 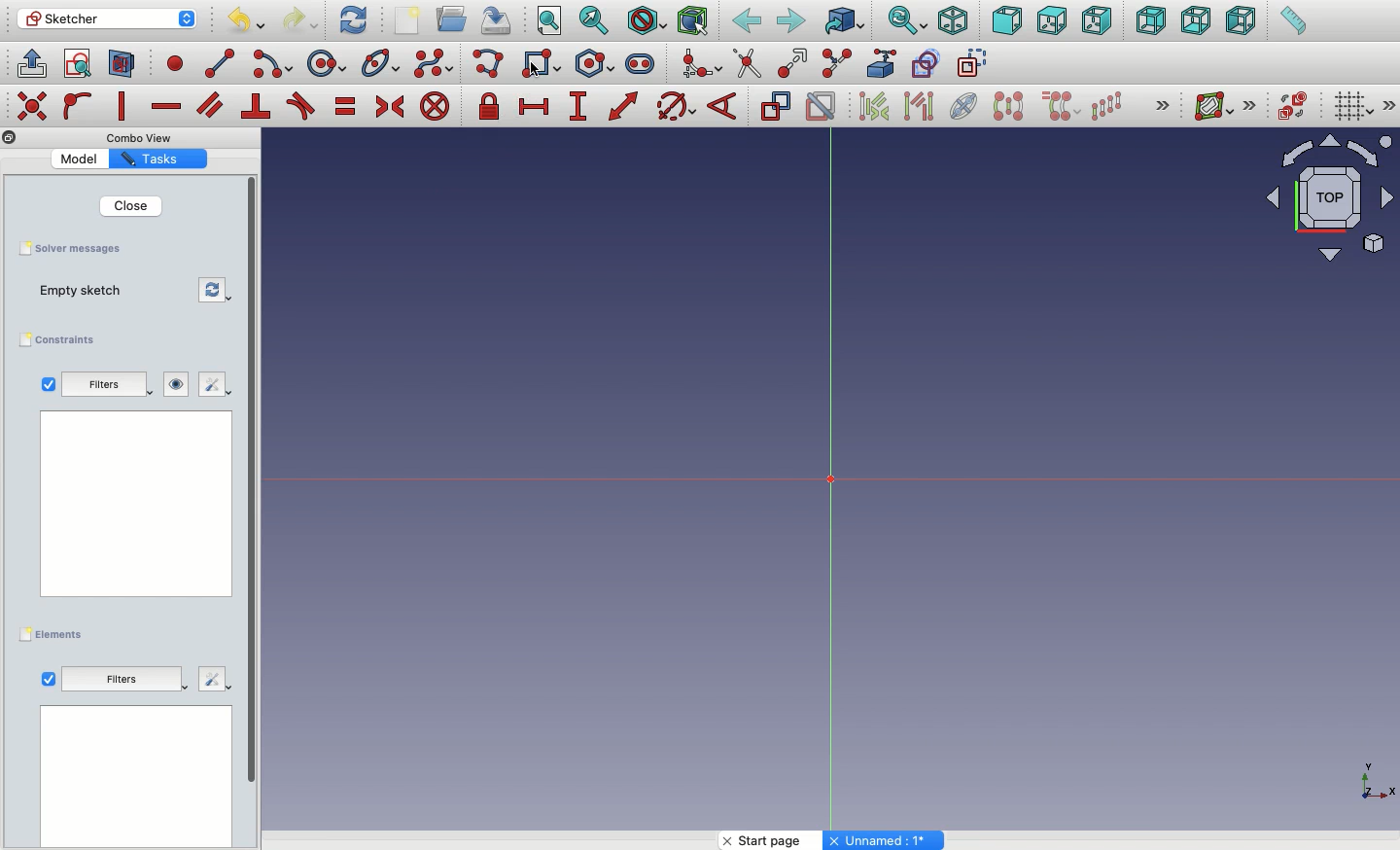 What do you see at coordinates (885, 840) in the screenshot?
I see `Unnamed: 1` at bounding box center [885, 840].